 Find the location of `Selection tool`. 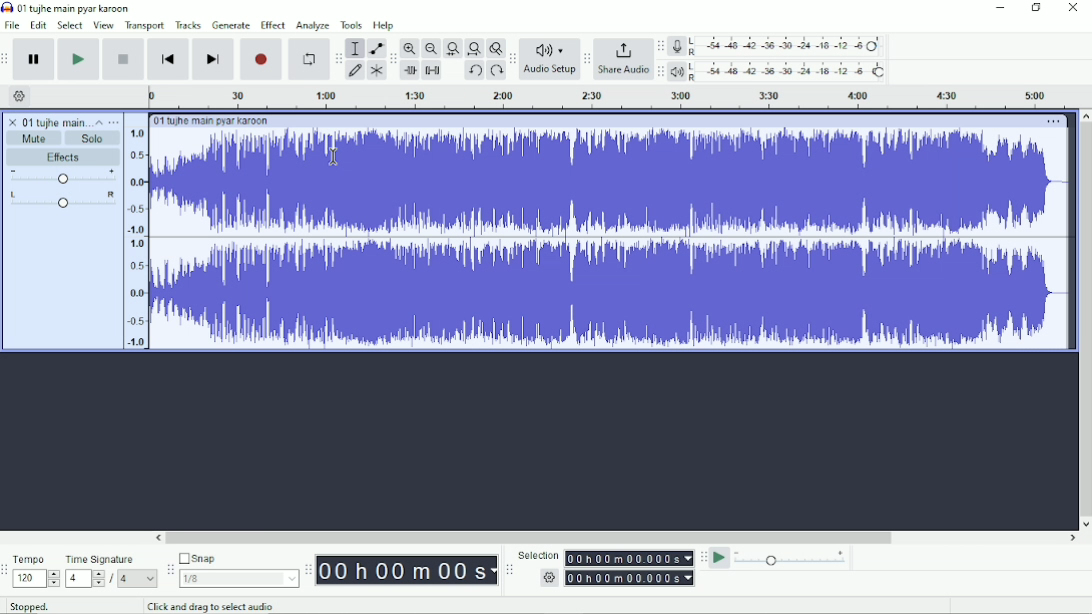

Selection tool is located at coordinates (355, 48).